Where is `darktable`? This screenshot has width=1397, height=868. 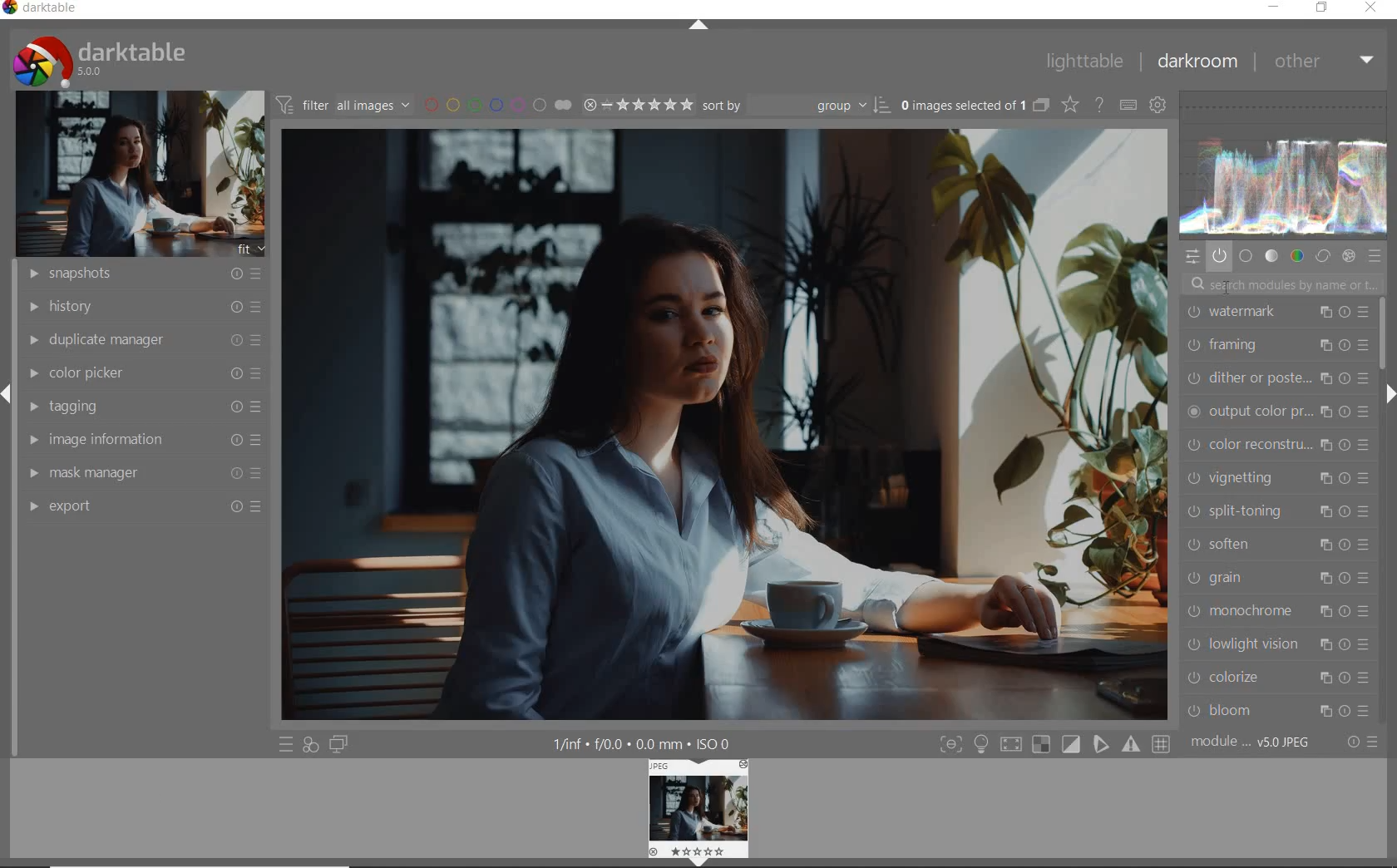 darktable is located at coordinates (129, 60).